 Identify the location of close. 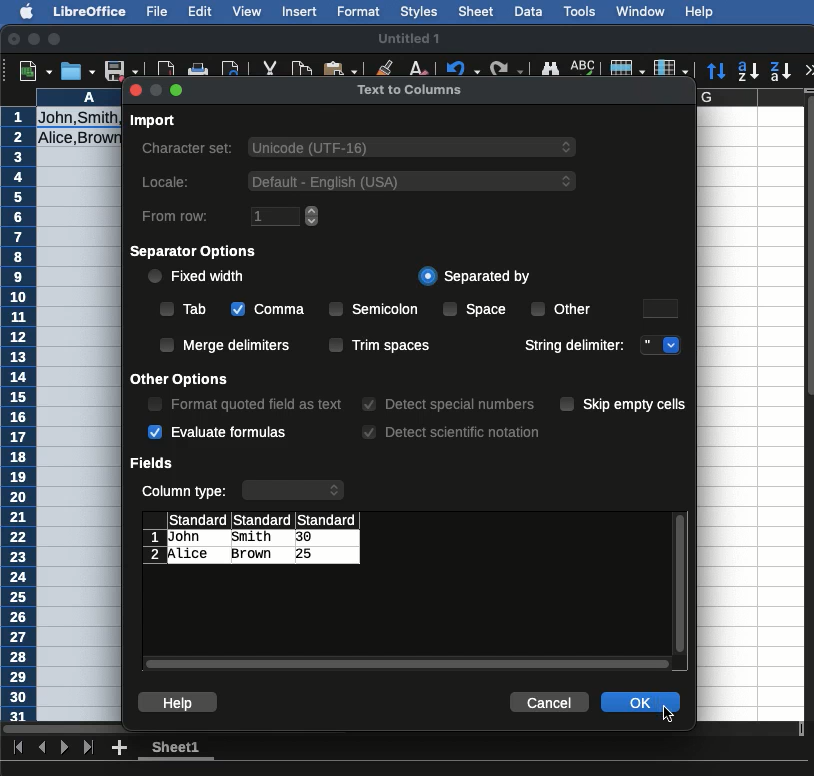
(133, 92).